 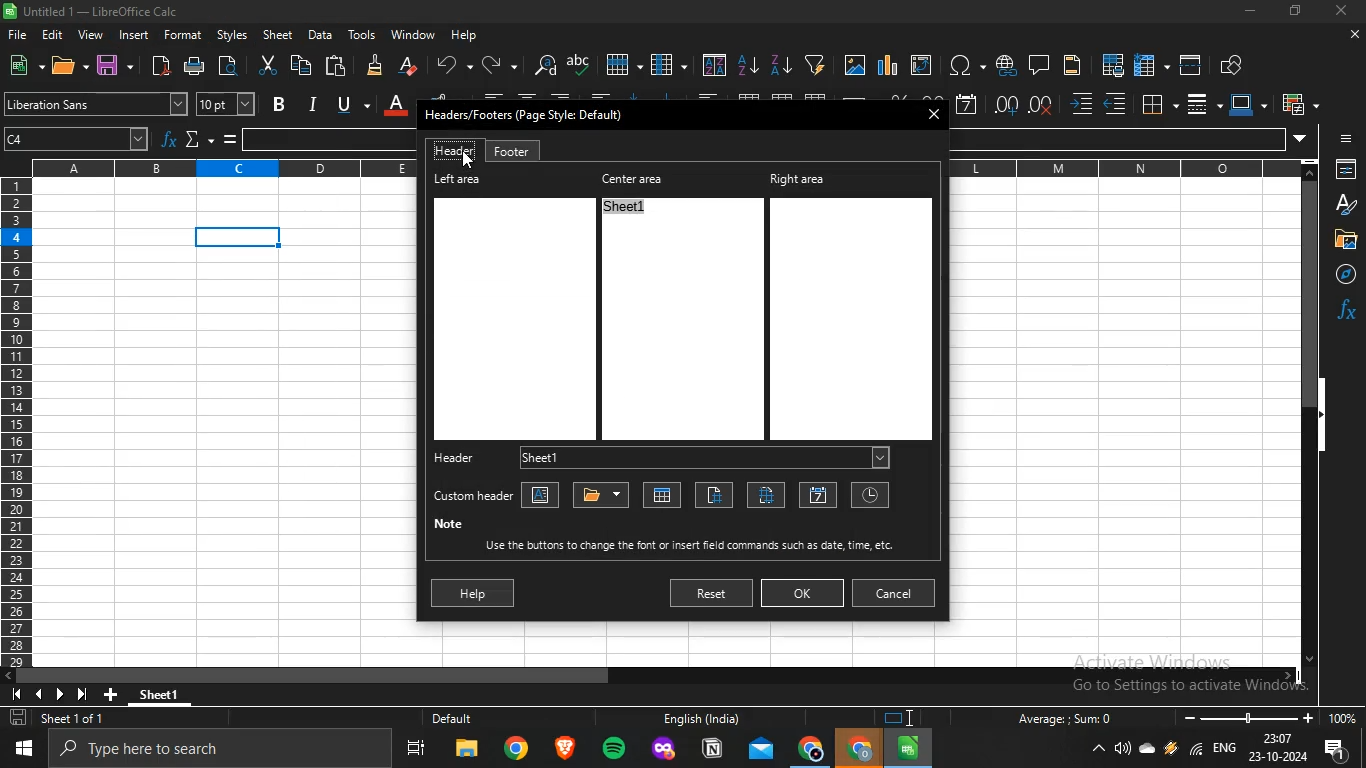 What do you see at coordinates (96, 105) in the screenshot?
I see `font name` at bounding box center [96, 105].